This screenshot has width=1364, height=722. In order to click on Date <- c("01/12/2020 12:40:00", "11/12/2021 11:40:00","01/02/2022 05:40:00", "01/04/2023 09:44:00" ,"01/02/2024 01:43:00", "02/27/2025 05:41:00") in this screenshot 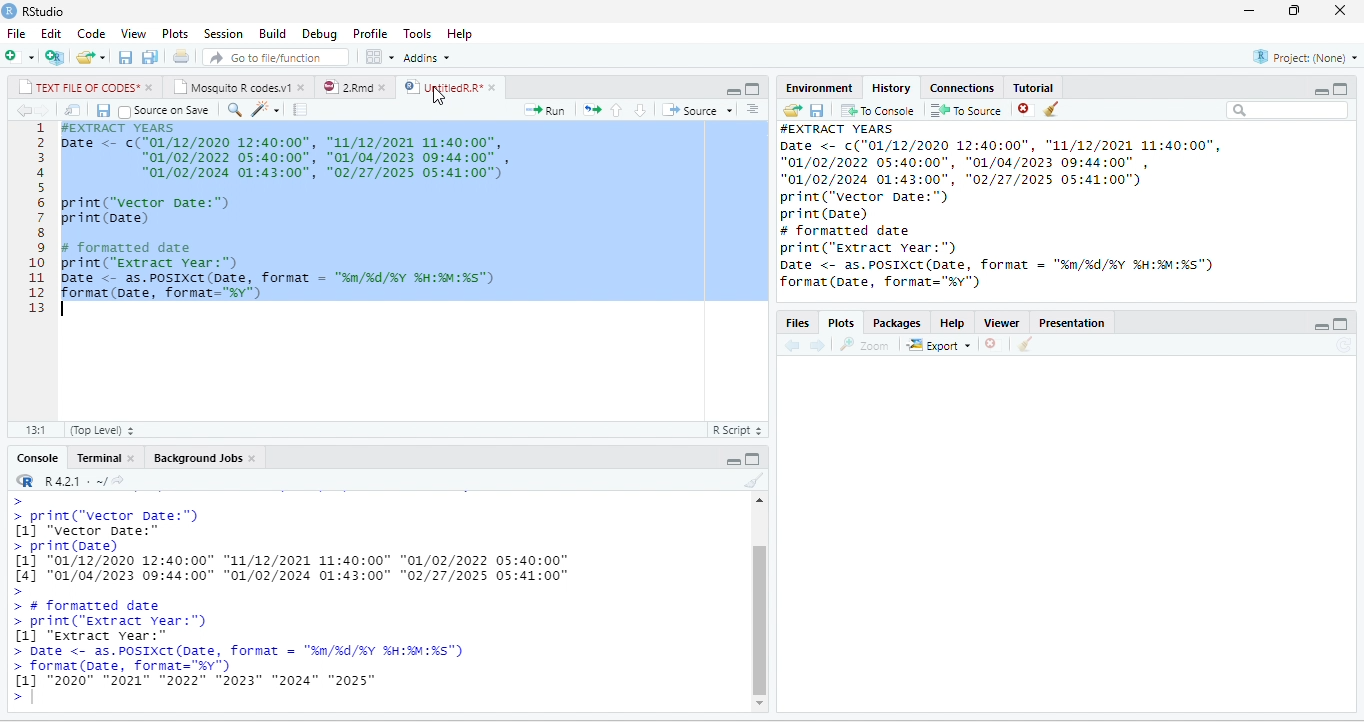, I will do `click(1012, 162)`.